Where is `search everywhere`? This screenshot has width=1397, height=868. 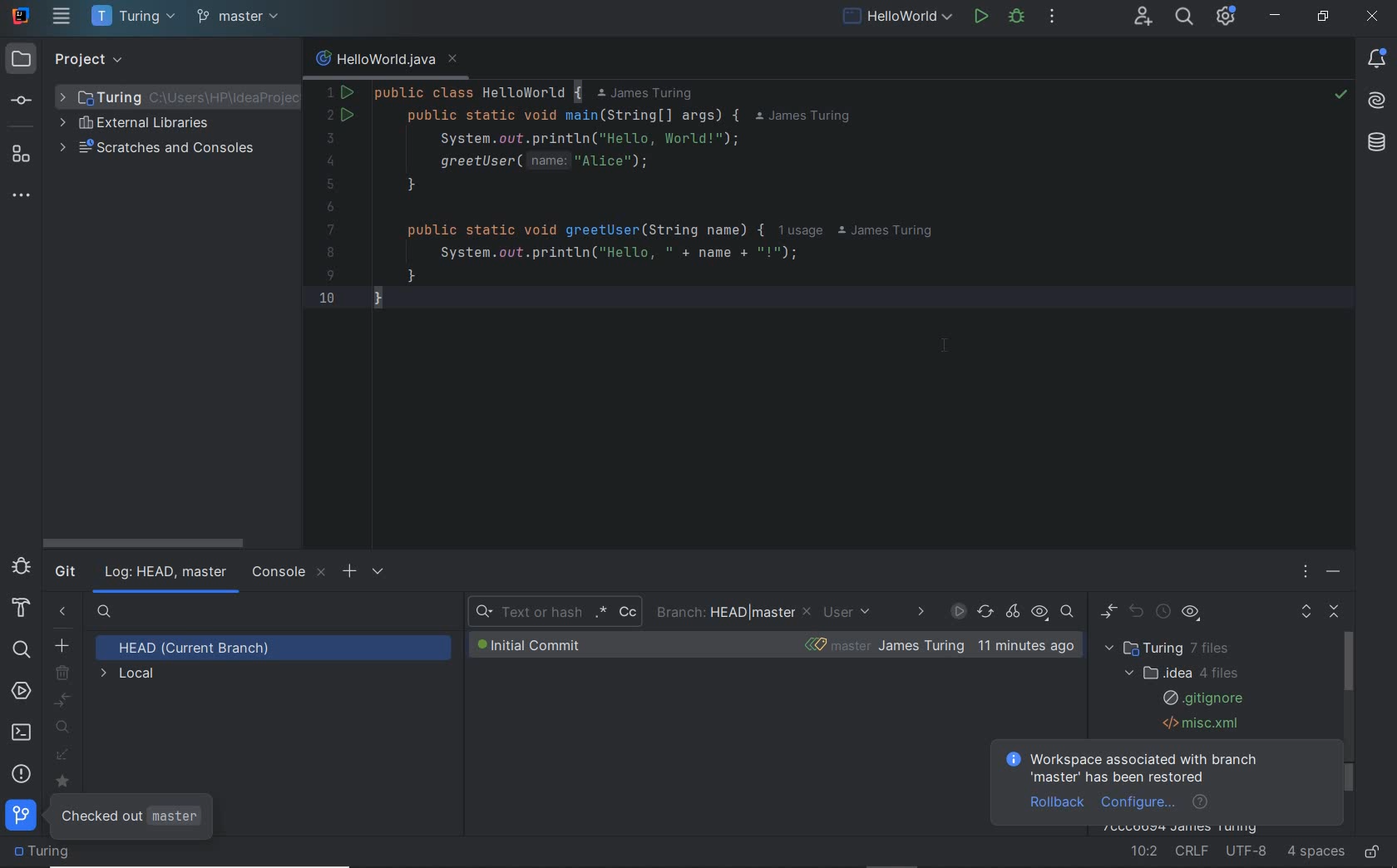 search everywhere is located at coordinates (1184, 17).